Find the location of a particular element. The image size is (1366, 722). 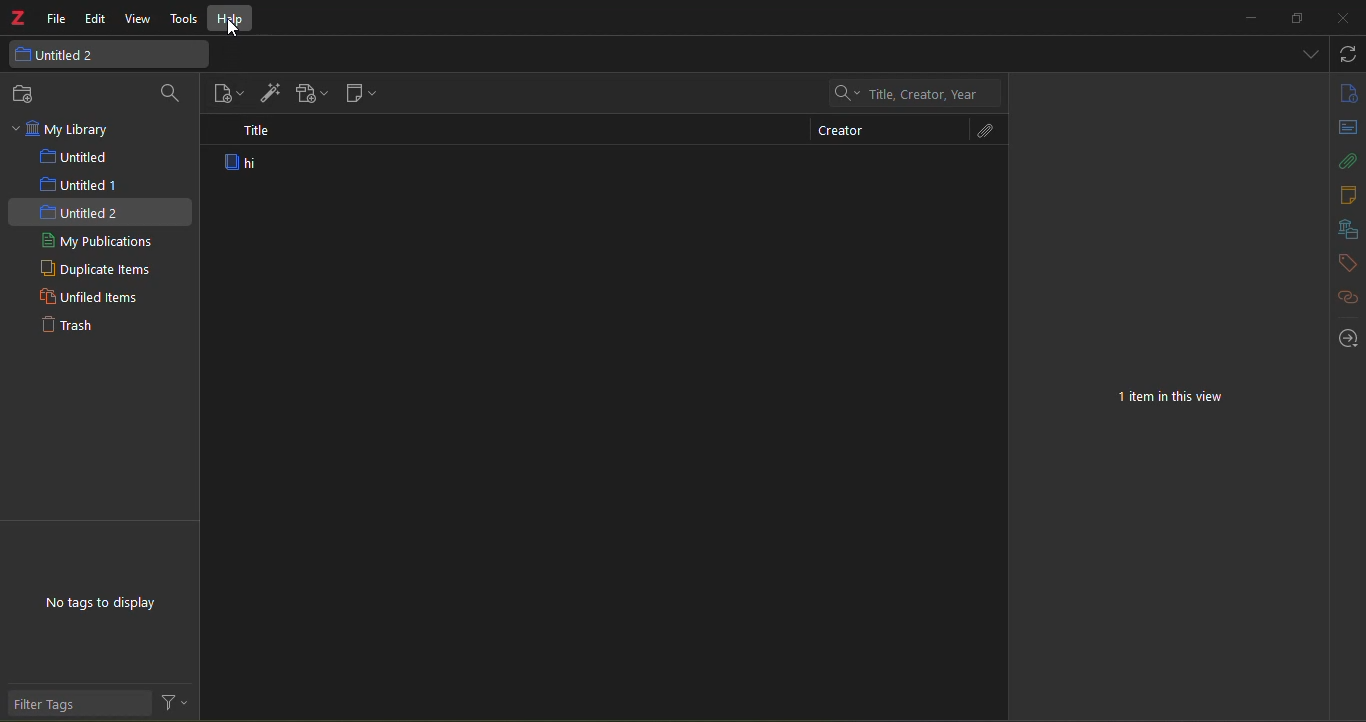

minimize is located at coordinates (1250, 18).